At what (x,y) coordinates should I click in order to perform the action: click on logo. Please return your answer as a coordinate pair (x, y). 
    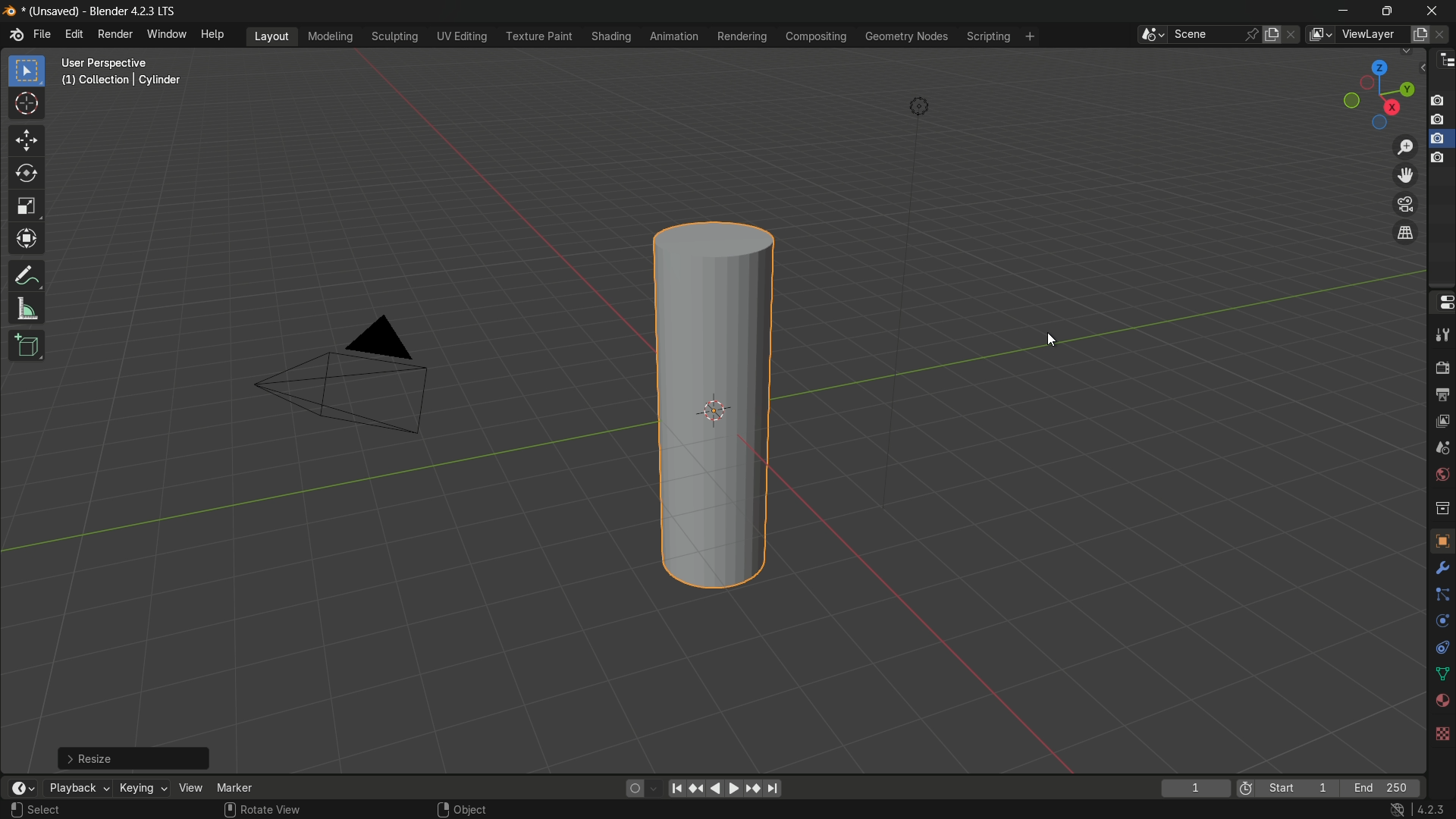
    Looking at the image, I should click on (16, 35).